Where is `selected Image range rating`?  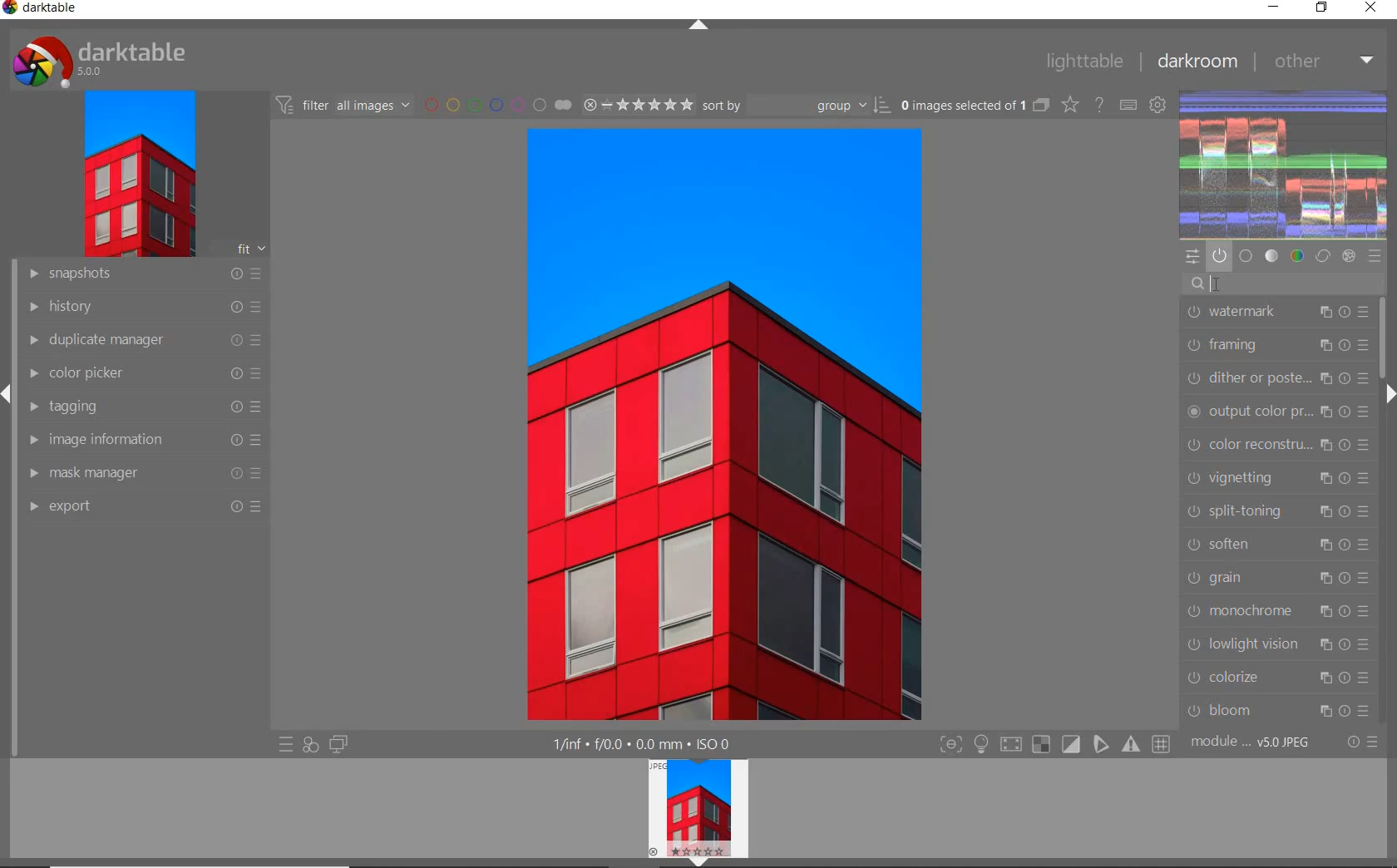
selected Image range rating is located at coordinates (639, 104).